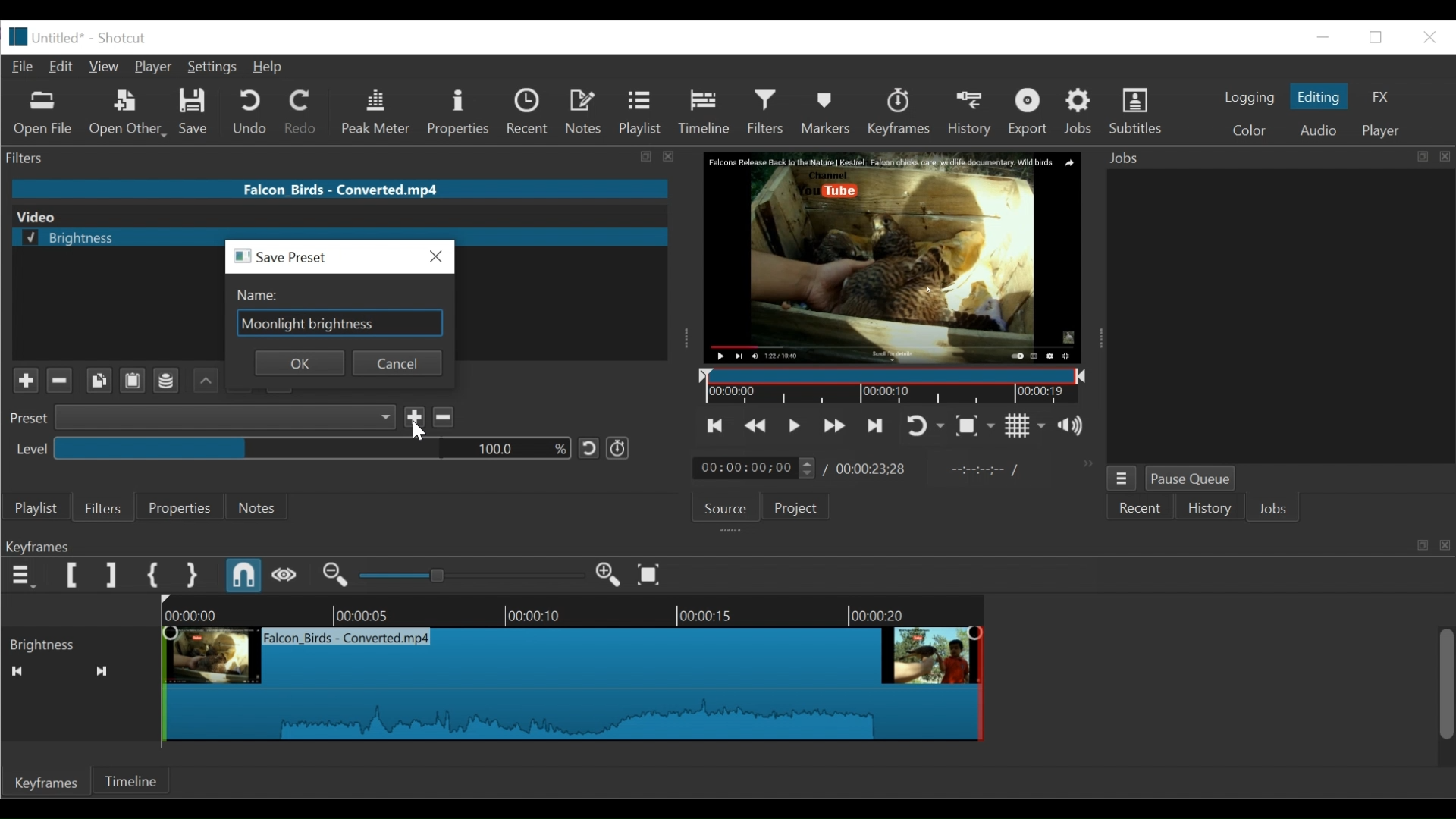 This screenshot has height=819, width=1456. I want to click on Show the volume control, so click(1075, 427).